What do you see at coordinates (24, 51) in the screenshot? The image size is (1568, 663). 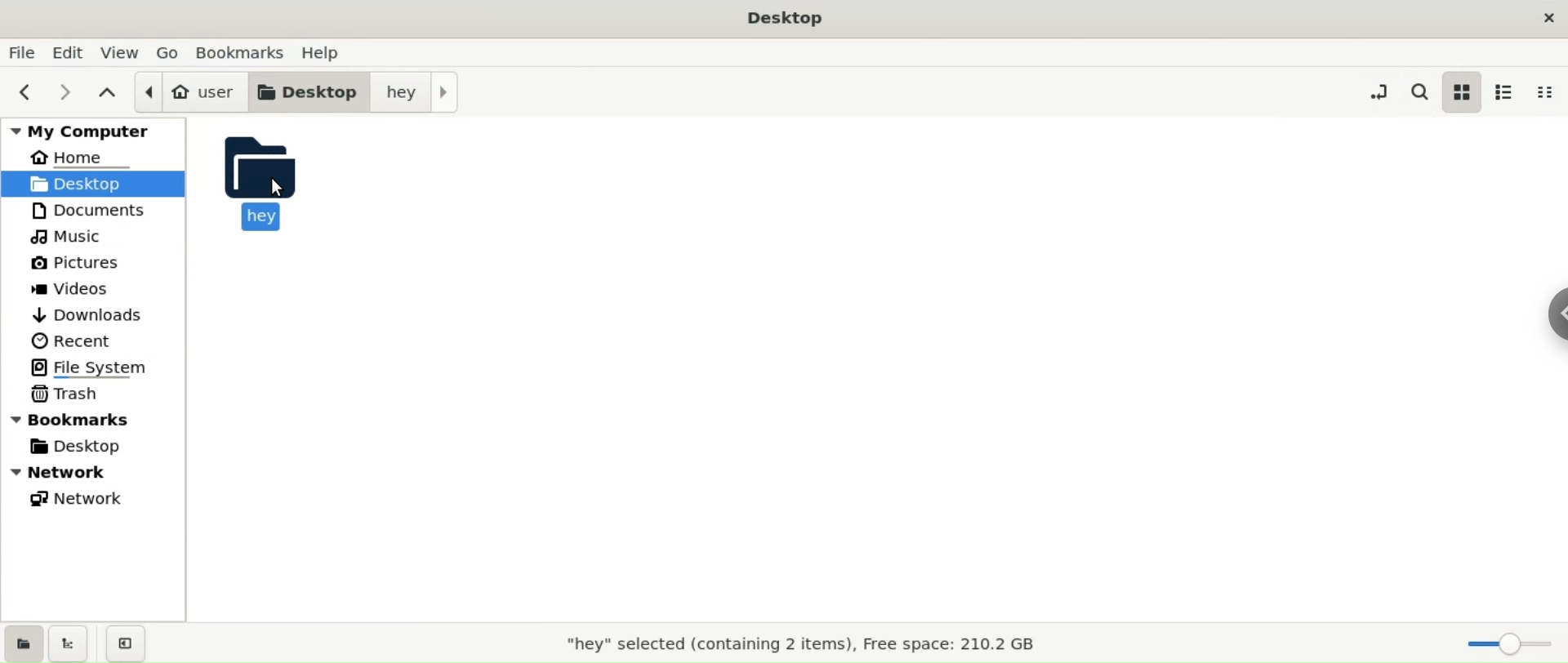 I see `file` at bounding box center [24, 51].